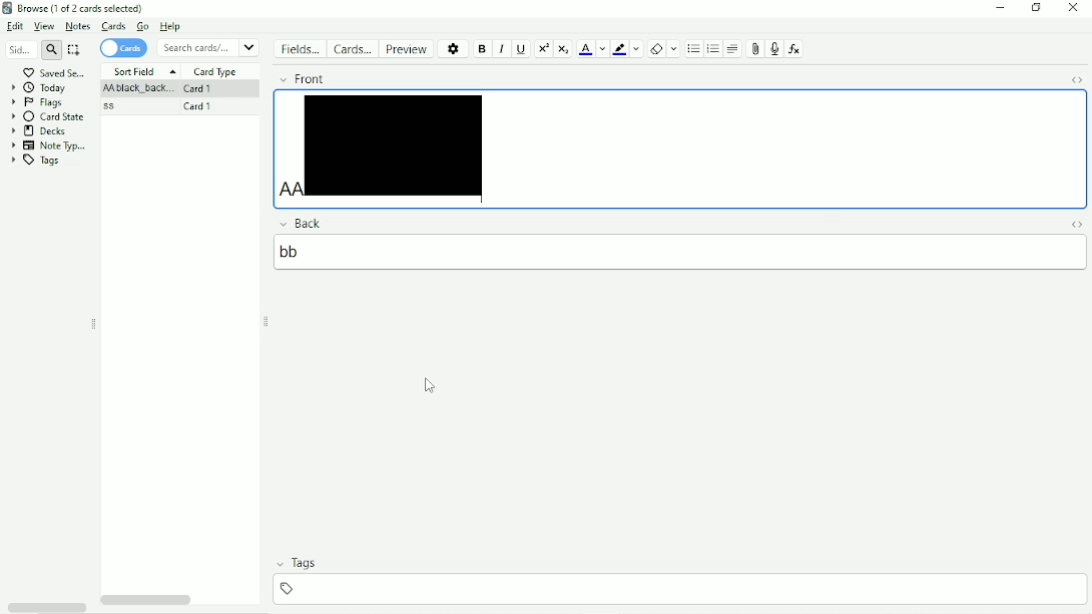 The height and width of the screenshot is (614, 1092). What do you see at coordinates (775, 49) in the screenshot?
I see `Record audio` at bounding box center [775, 49].